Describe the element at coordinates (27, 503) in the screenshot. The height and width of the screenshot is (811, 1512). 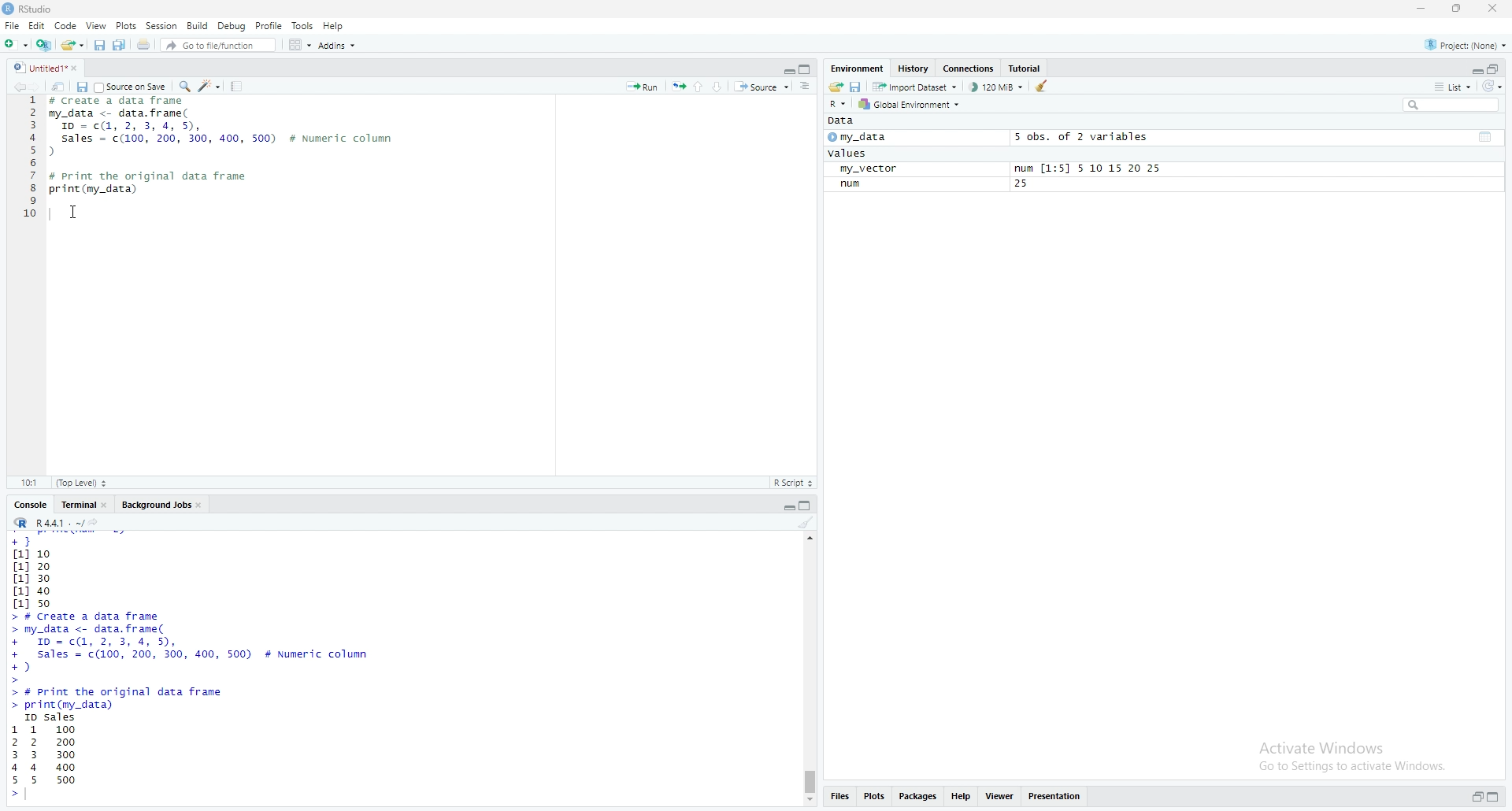
I see `console` at that location.